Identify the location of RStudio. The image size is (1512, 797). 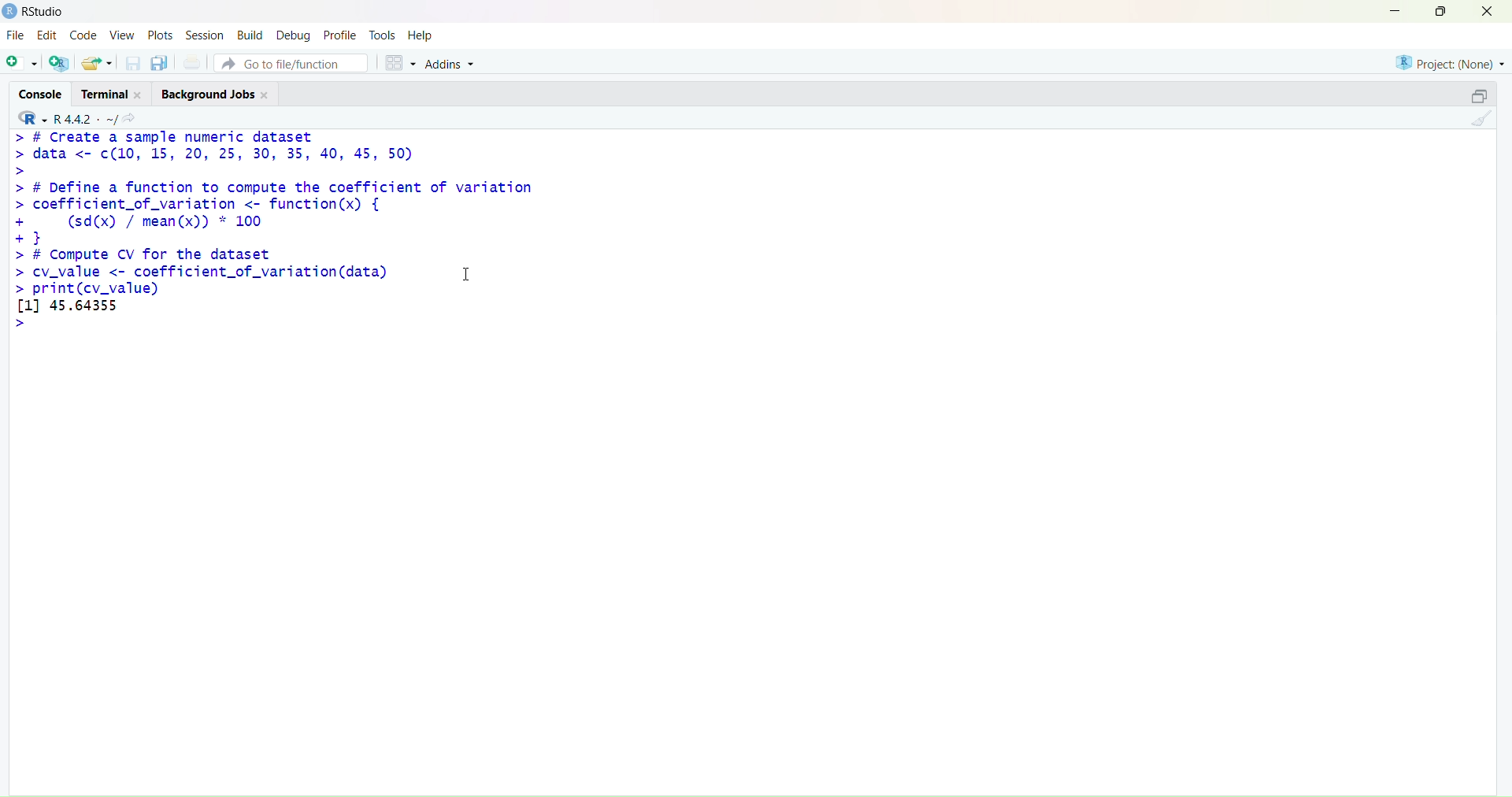
(46, 11).